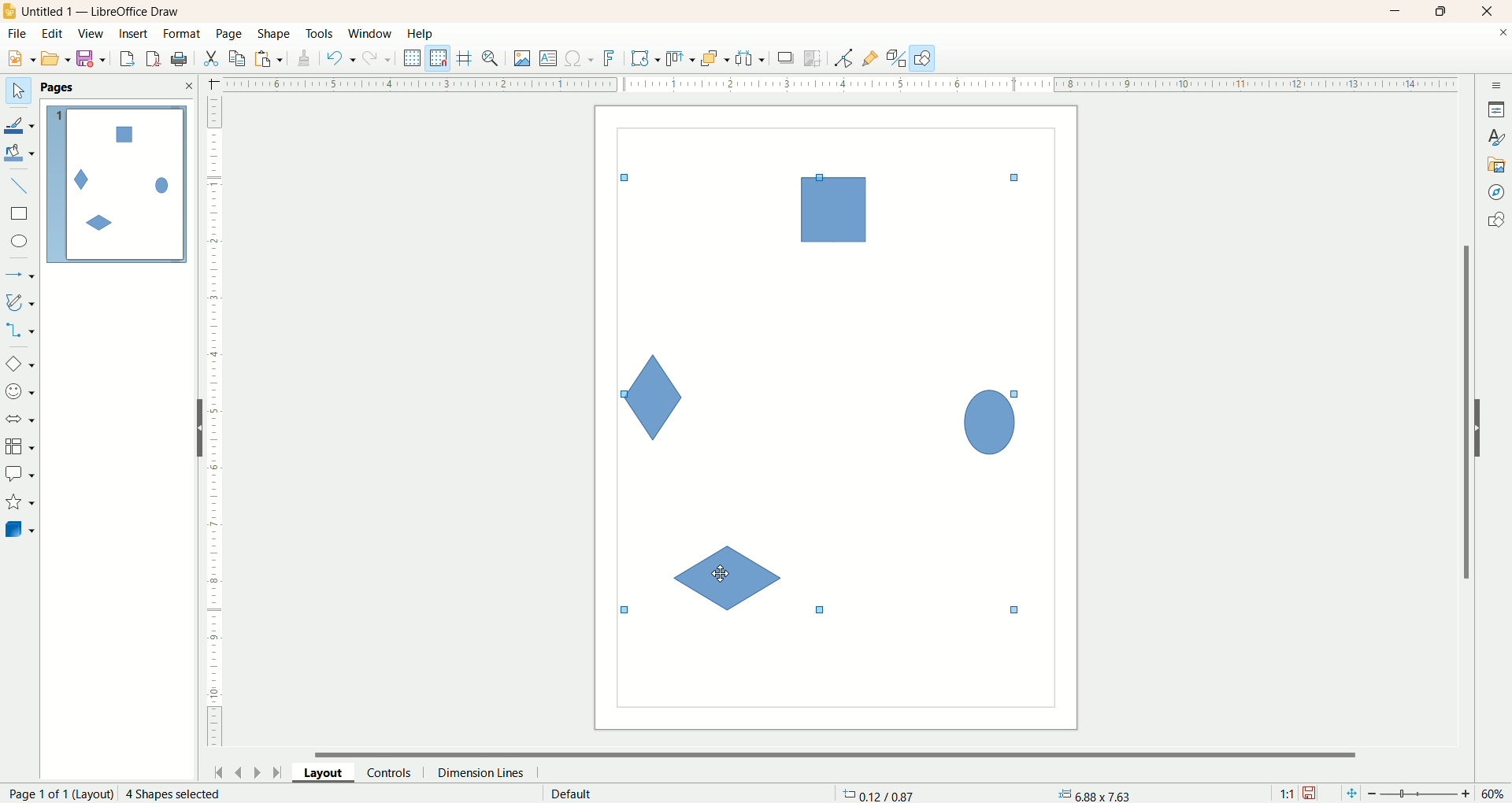 The image size is (1512, 803). What do you see at coordinates (341, 58) in the screenshot?
I see `undo` at bounding box center [341, 58].